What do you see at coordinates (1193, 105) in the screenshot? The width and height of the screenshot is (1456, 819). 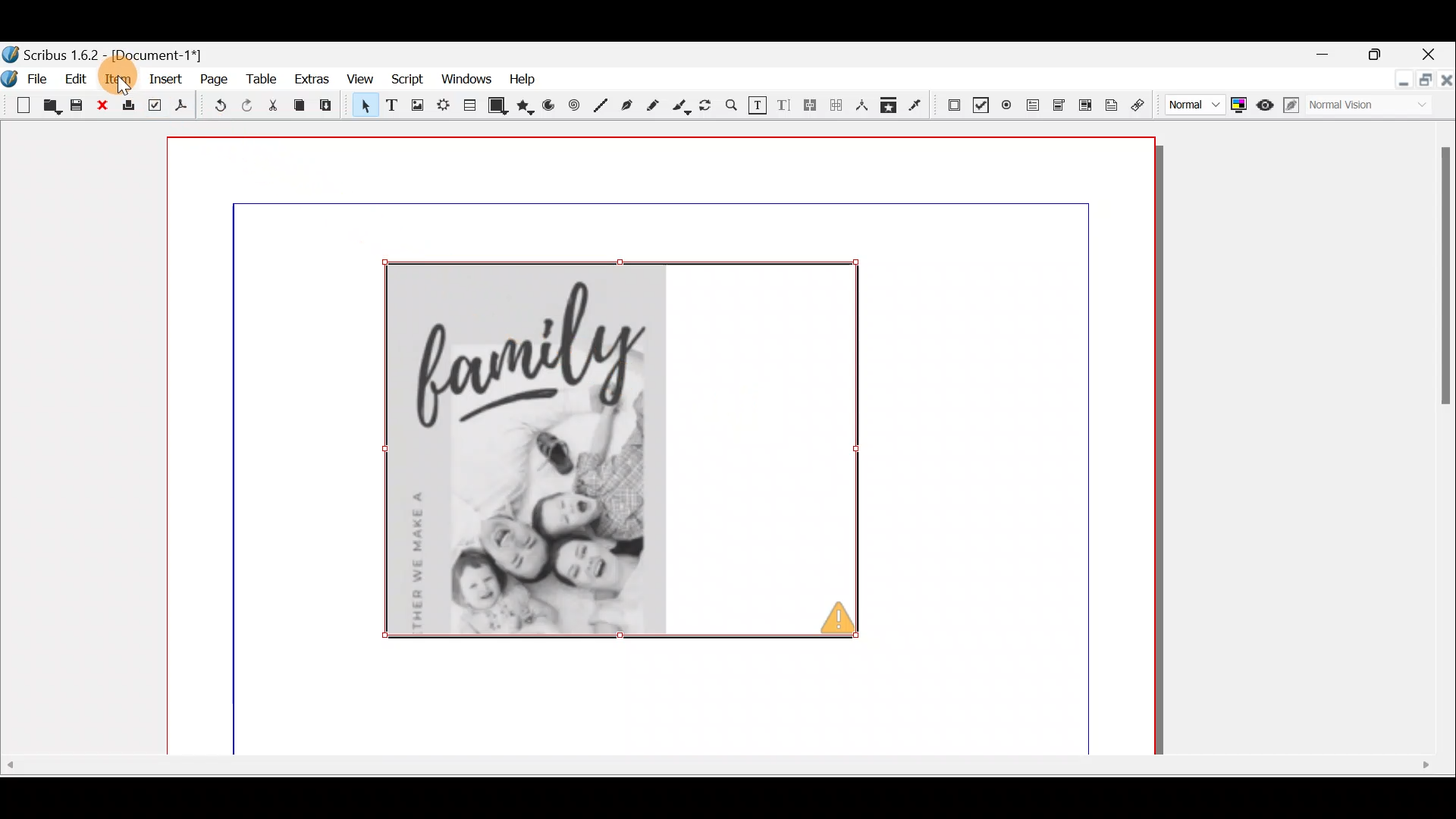 I see `Image preview quality` at bounding box center [1193, 105].